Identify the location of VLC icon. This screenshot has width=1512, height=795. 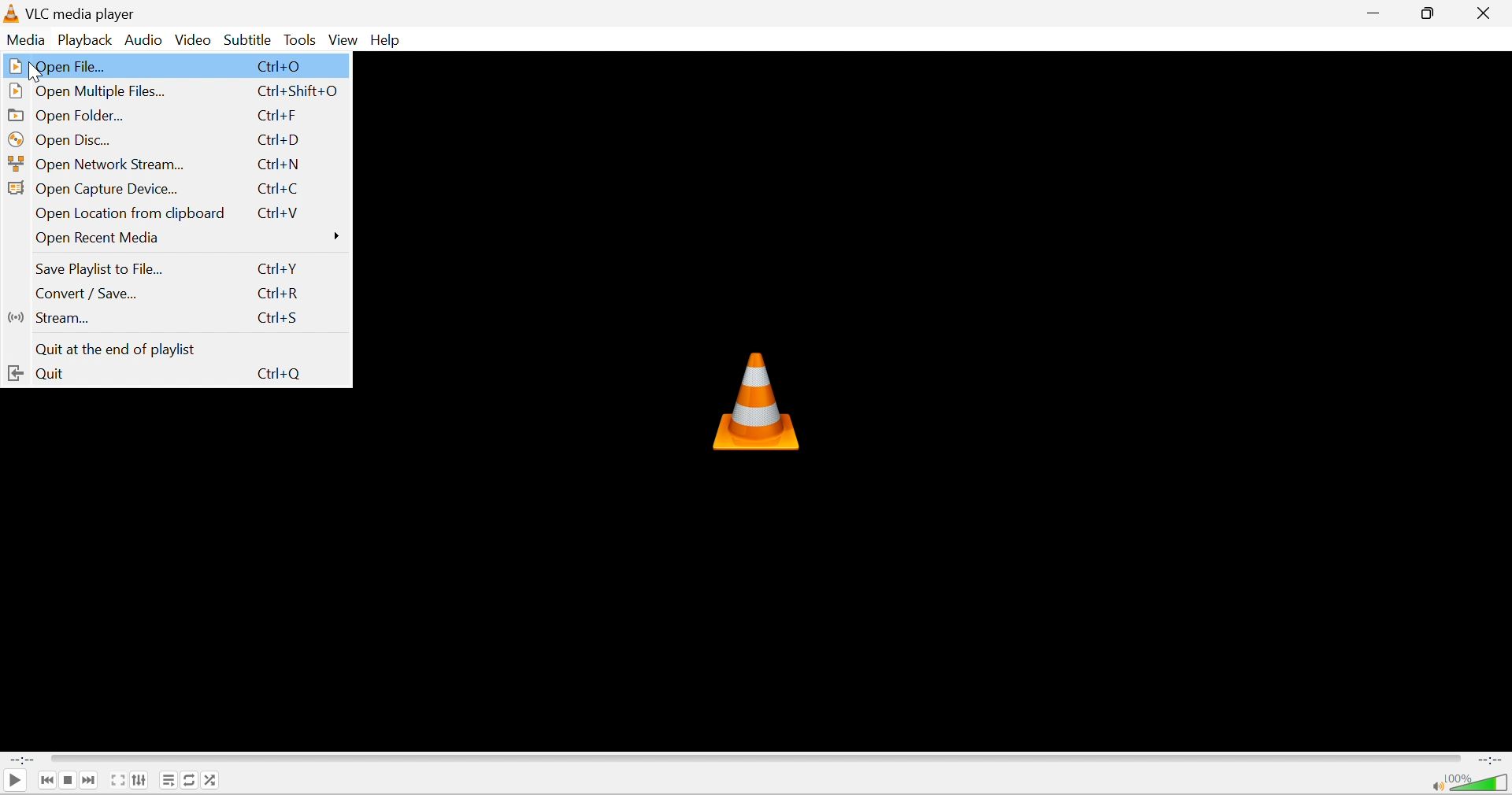
(754, 401).